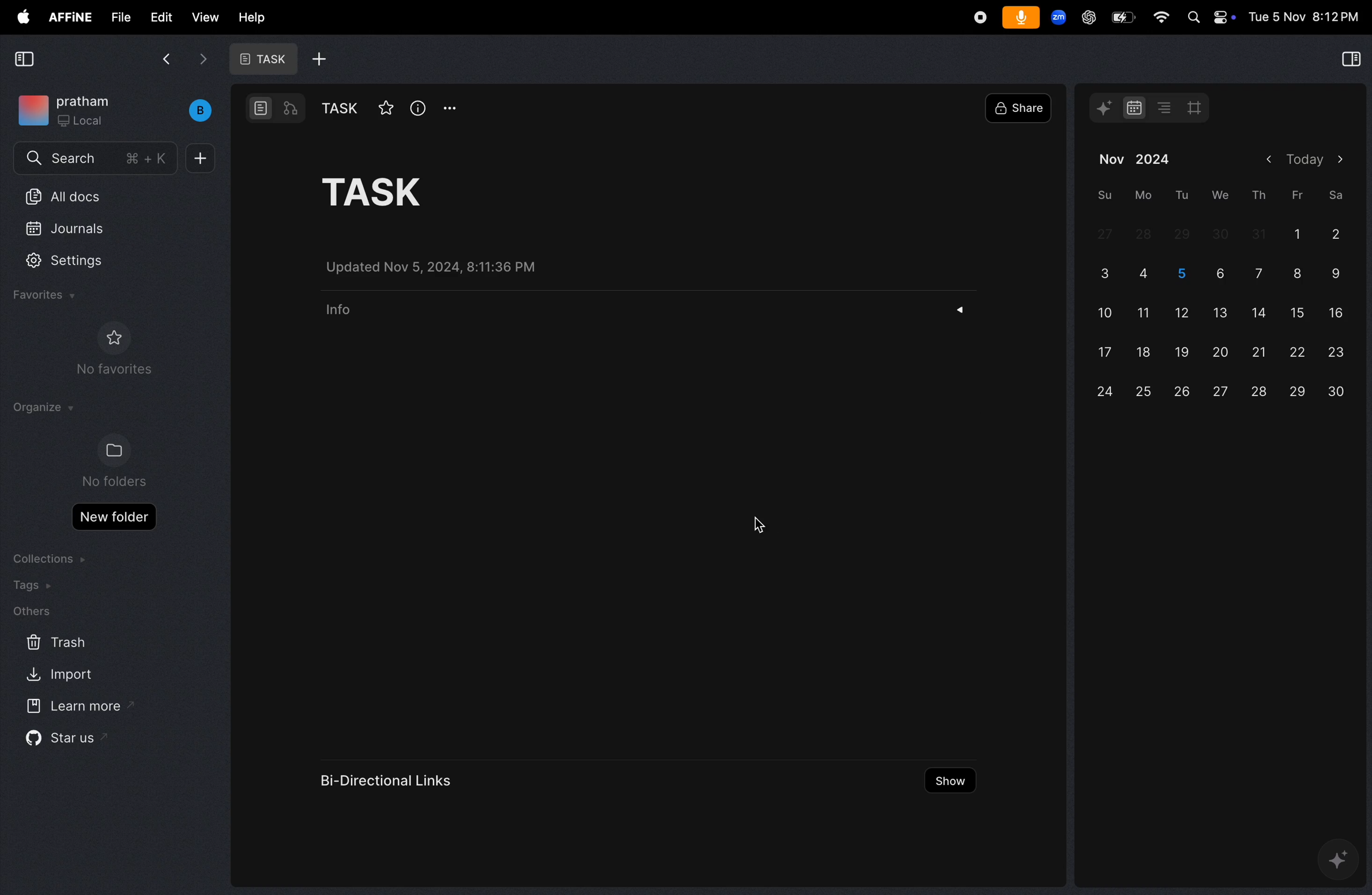 The image size is (1372, 895). Describe the element at coordinates (1106, 108) in the screenshot. I see `ai` at that location.